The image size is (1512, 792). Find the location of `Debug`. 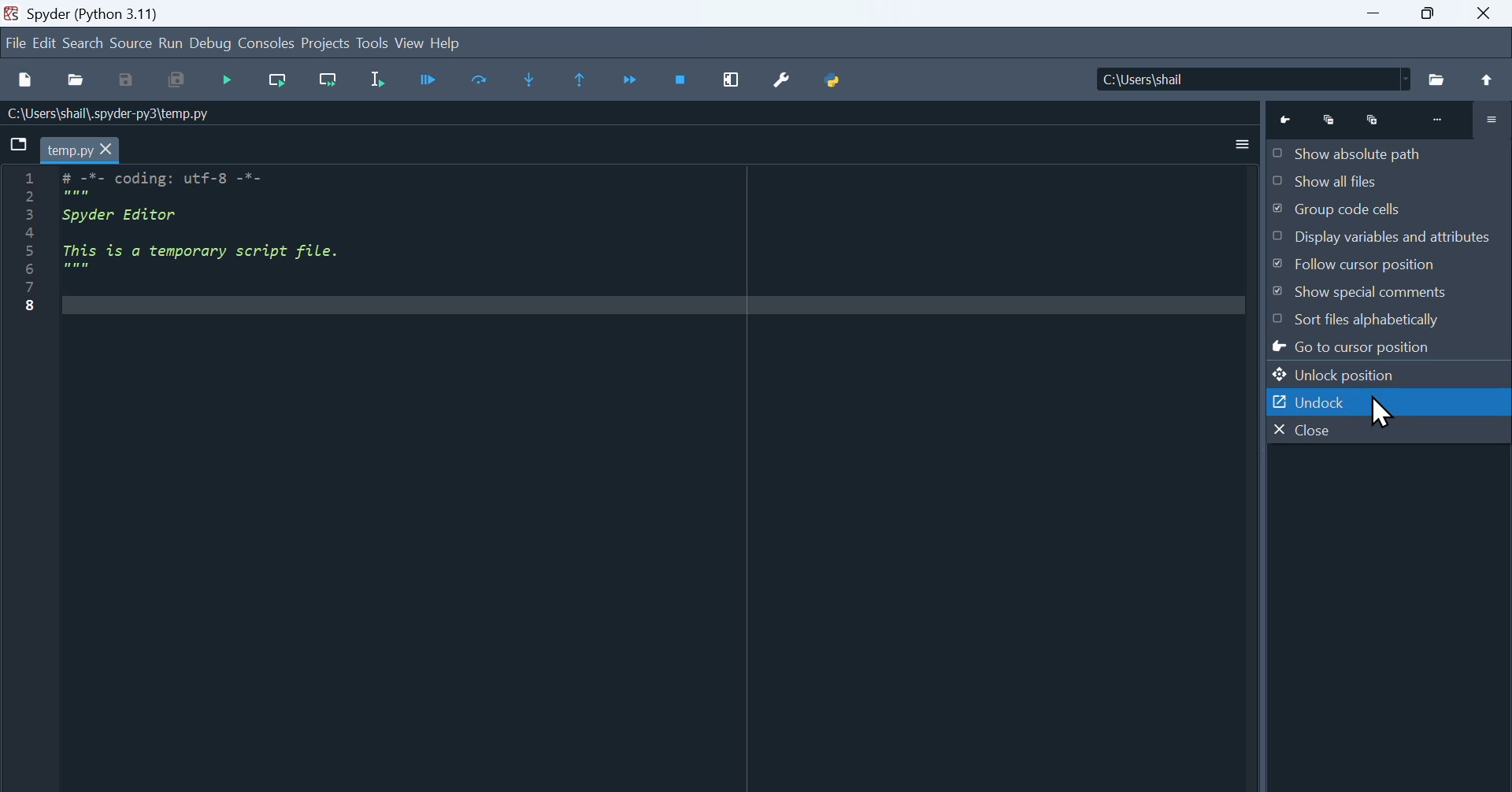

Debug is located at coordinates (210, 42).